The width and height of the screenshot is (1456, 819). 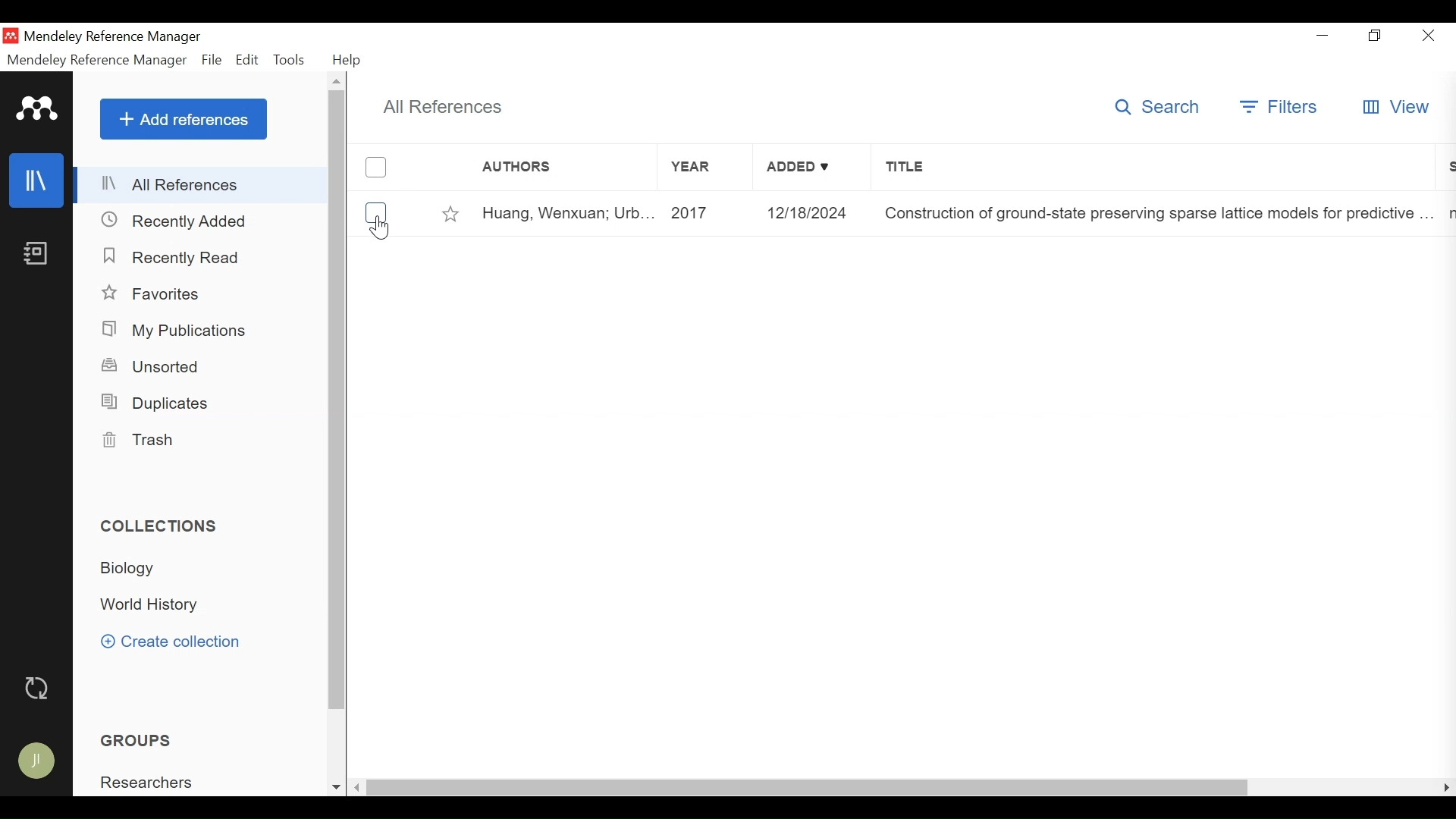 What do you see at coordinates (1158, 170) in the screenshot?
I see `Title` at bounding box center [1158, 170].